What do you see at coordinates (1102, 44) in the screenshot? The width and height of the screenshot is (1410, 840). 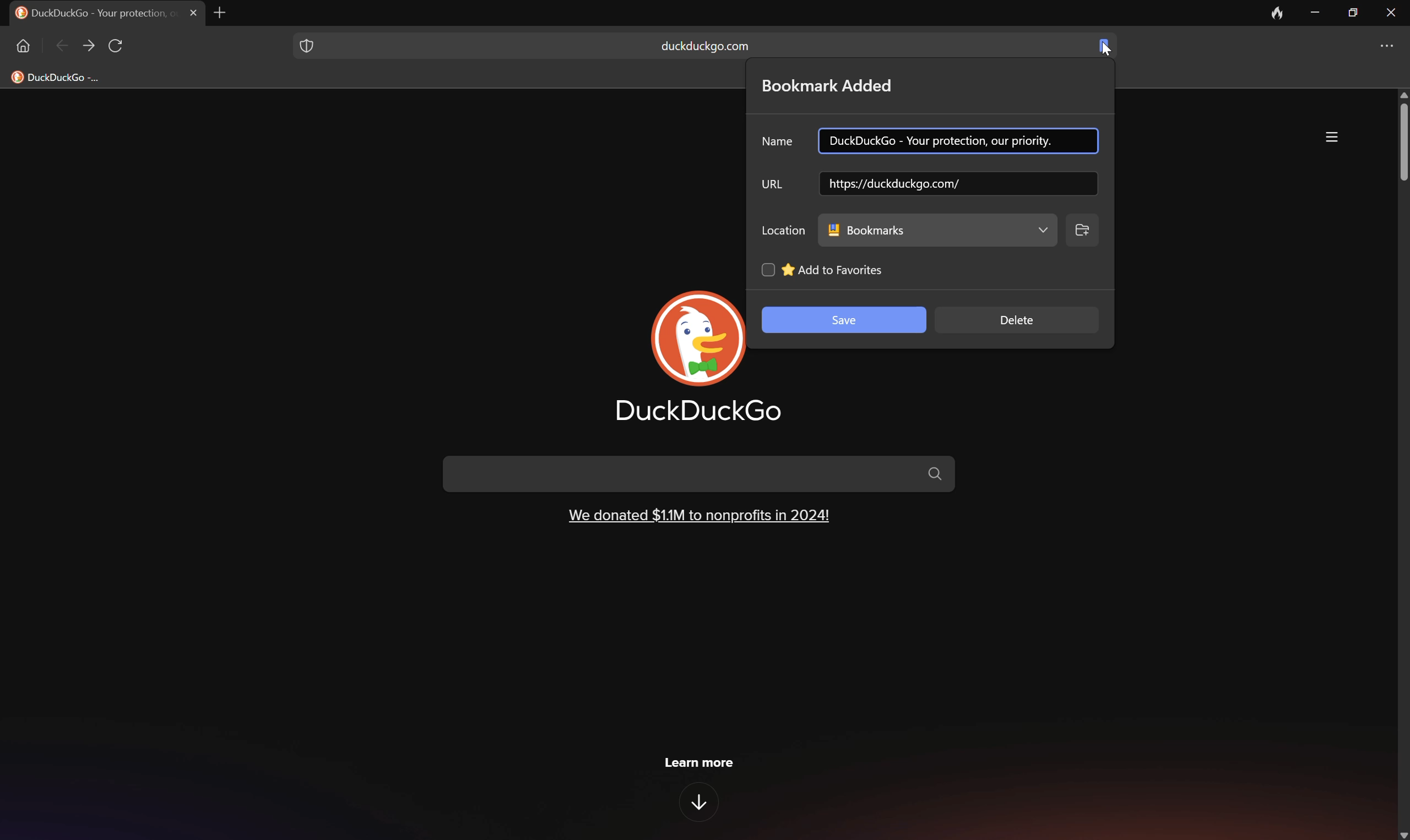 I see `bookmark` at bounding box center [1102, 44].